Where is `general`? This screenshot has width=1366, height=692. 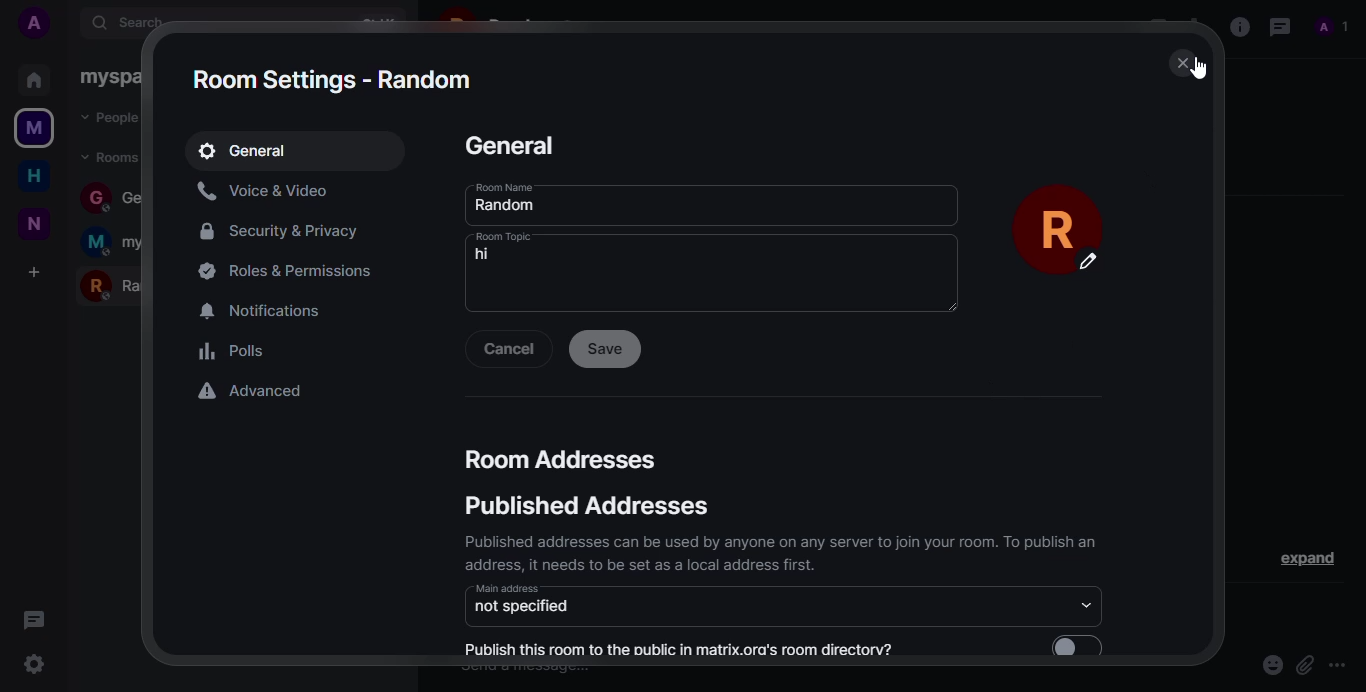 general is located at coordinates (254, 151).